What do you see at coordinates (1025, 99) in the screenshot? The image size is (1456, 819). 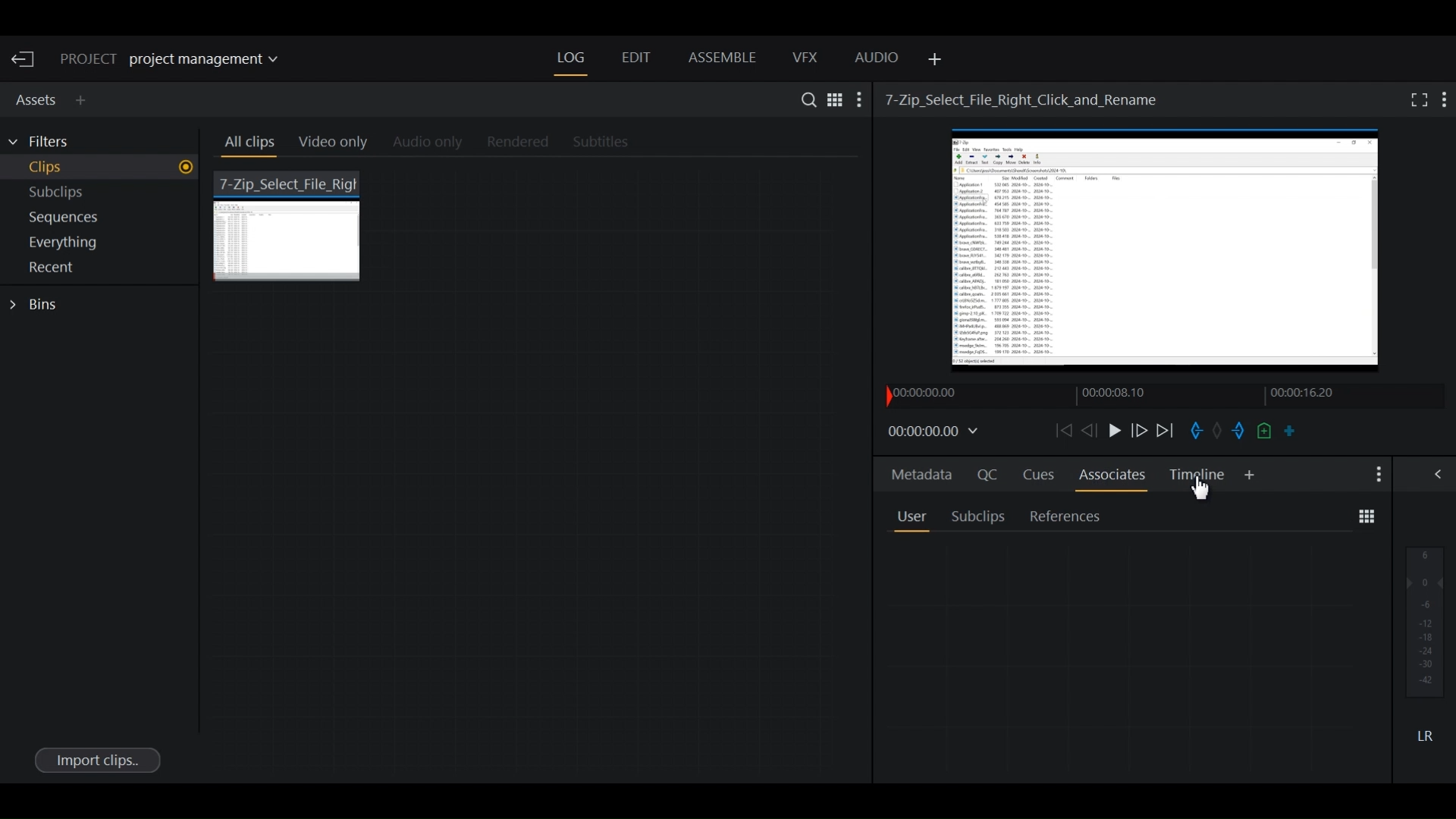 I see `Video Name` at bounding box center [1025, 99].